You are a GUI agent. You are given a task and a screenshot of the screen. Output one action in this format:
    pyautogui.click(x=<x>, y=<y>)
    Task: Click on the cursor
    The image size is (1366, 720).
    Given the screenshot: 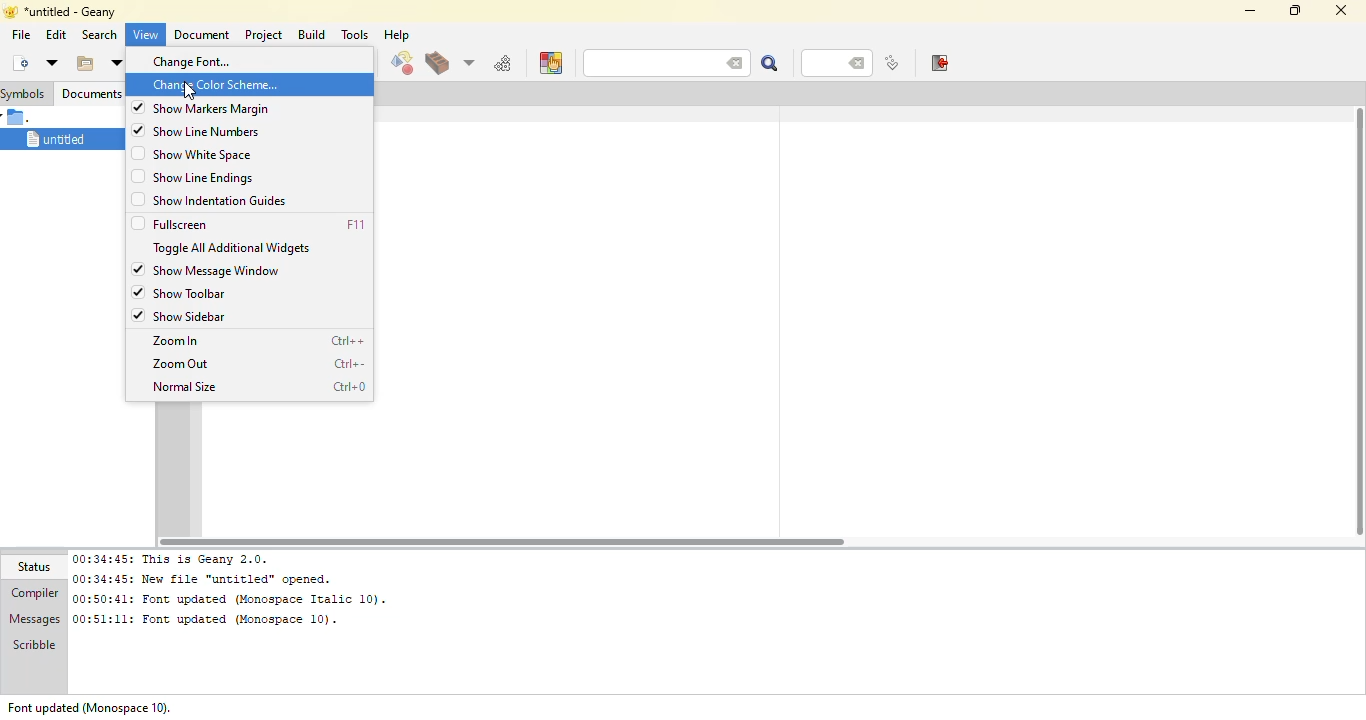 What is the action you would take?
    pyautogui.click(x=189, y=91)
    